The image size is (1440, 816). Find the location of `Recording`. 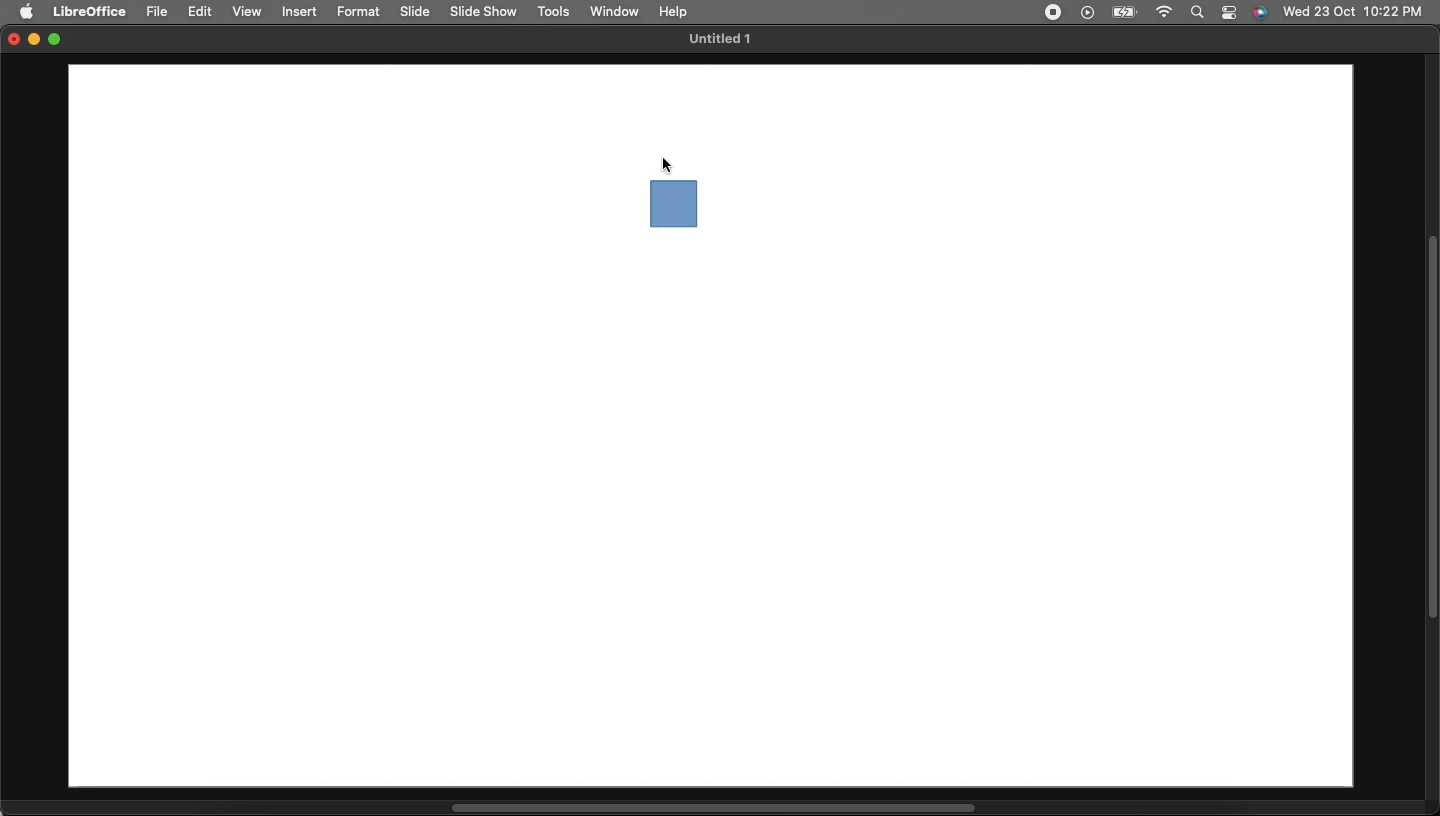

Recording is located at coordinates (1052, 11).